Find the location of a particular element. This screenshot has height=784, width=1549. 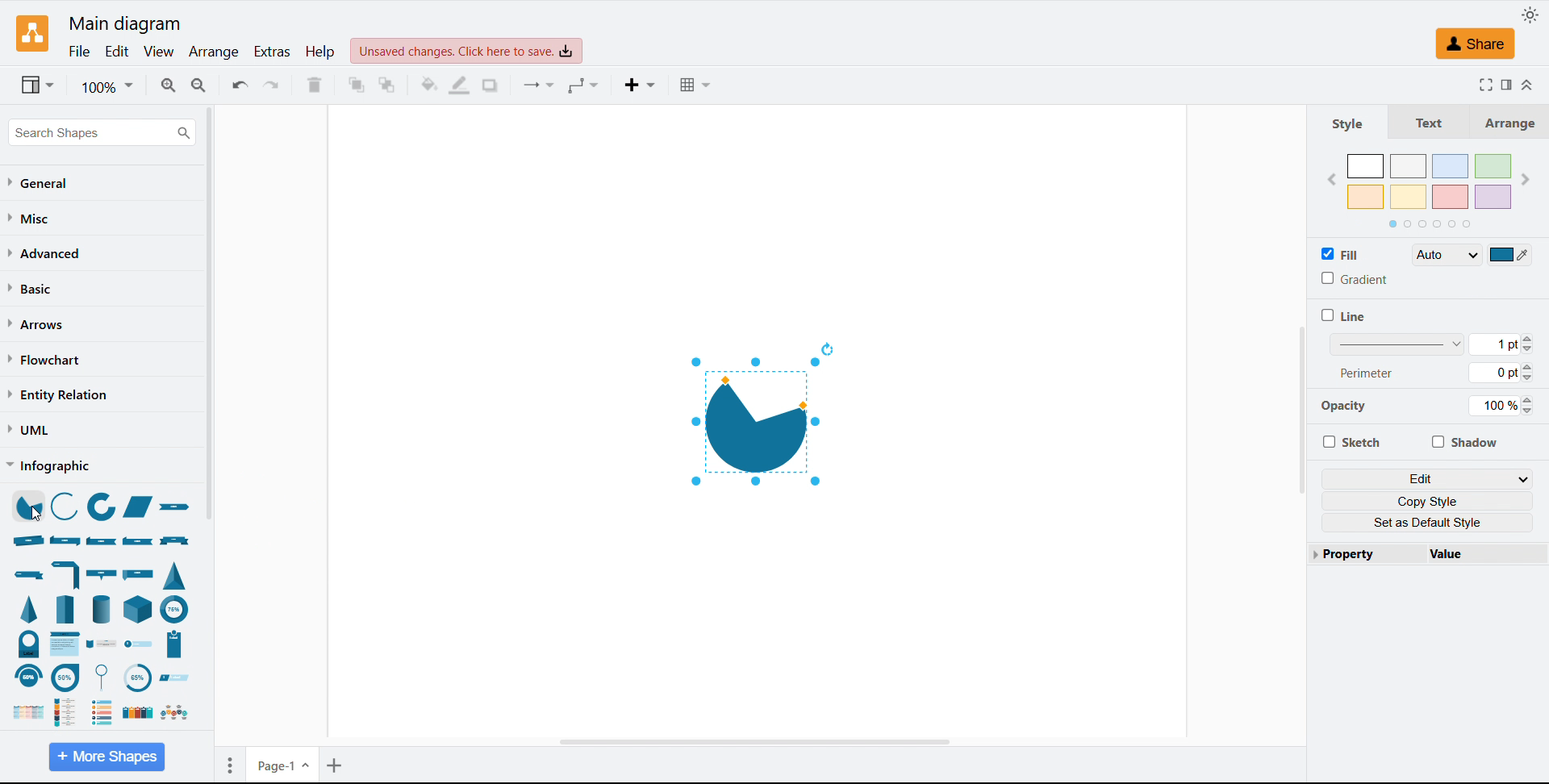

circular callout is located at coordinates (70, 678).